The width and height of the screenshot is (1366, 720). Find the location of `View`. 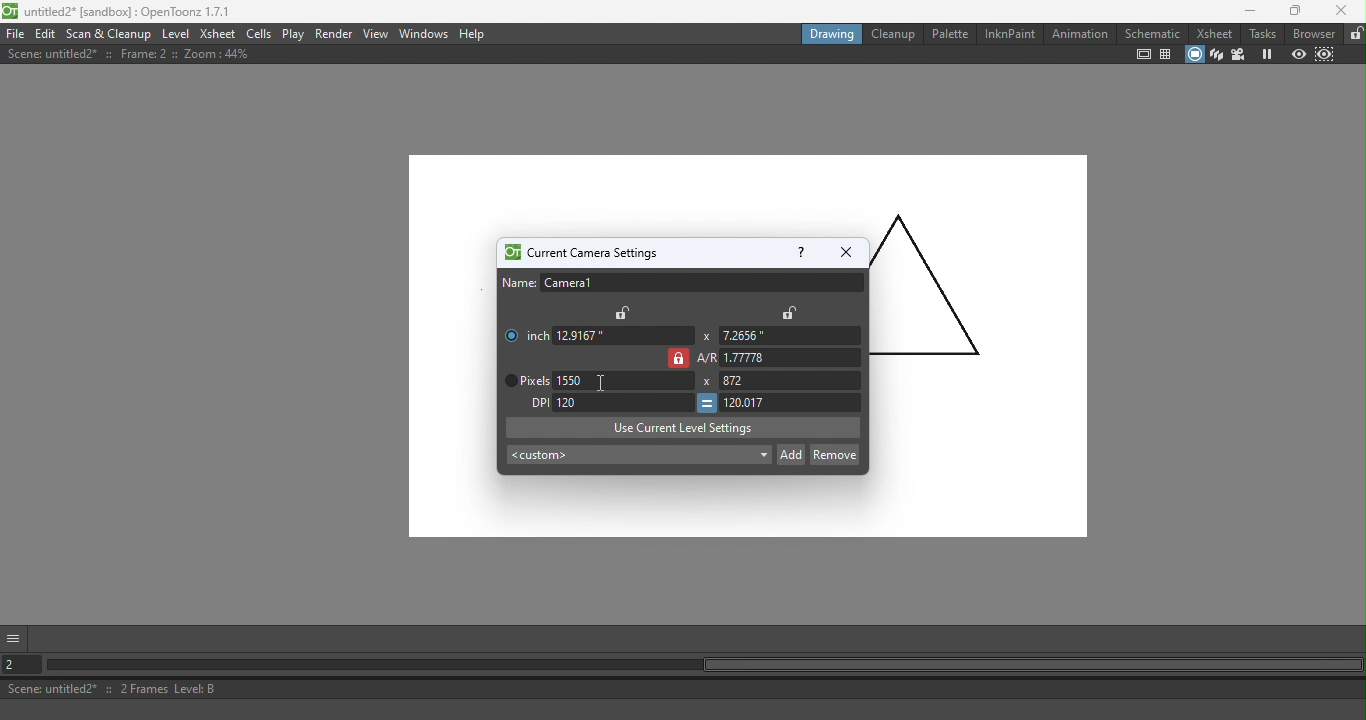

View is located at coordinates (377, 33).